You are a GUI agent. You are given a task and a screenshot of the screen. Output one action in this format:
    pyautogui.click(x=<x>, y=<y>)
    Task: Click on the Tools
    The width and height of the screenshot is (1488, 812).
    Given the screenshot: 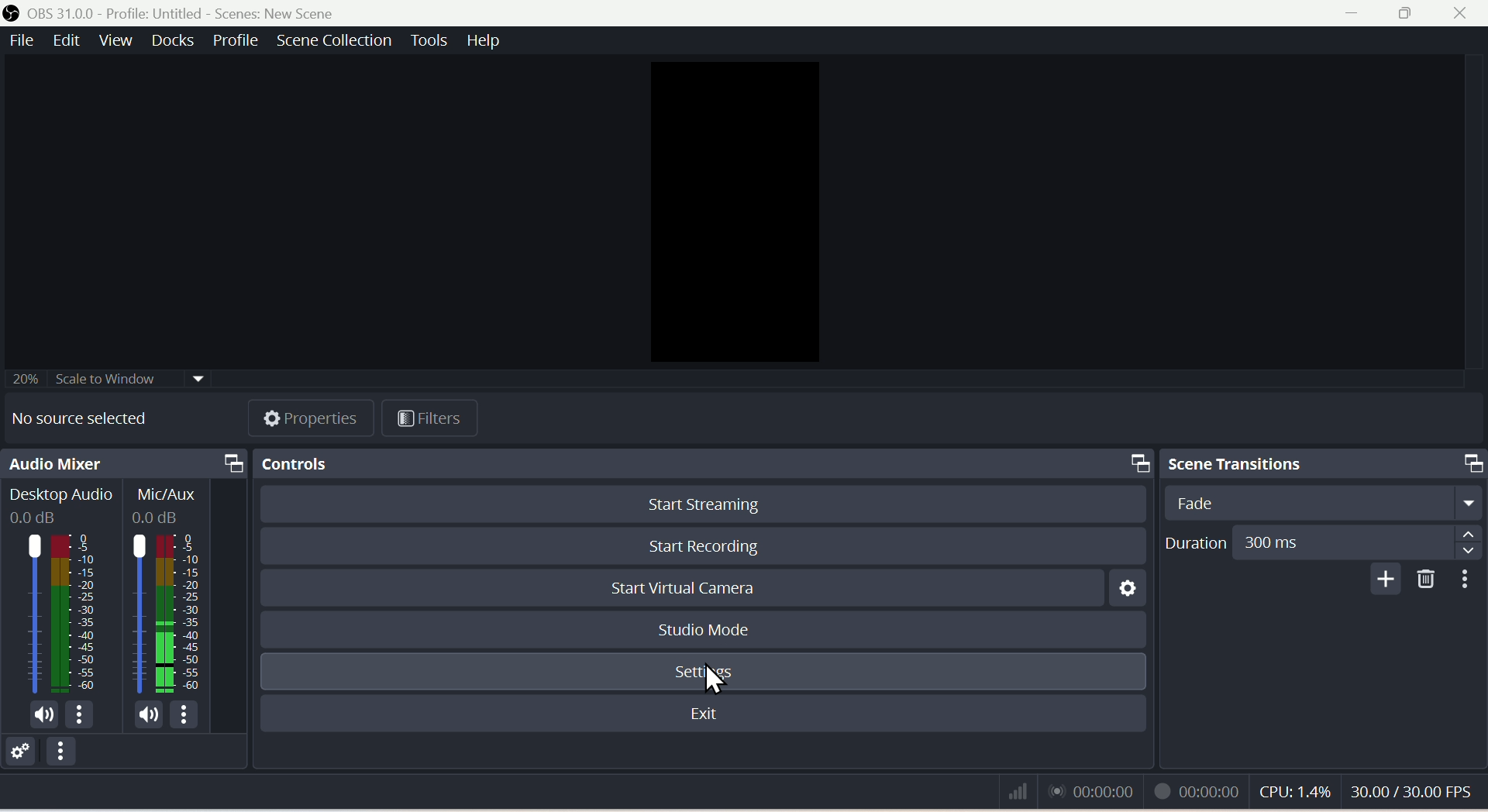 What is the action you would take?
    pyautogui.click(x=429, y=40)
    